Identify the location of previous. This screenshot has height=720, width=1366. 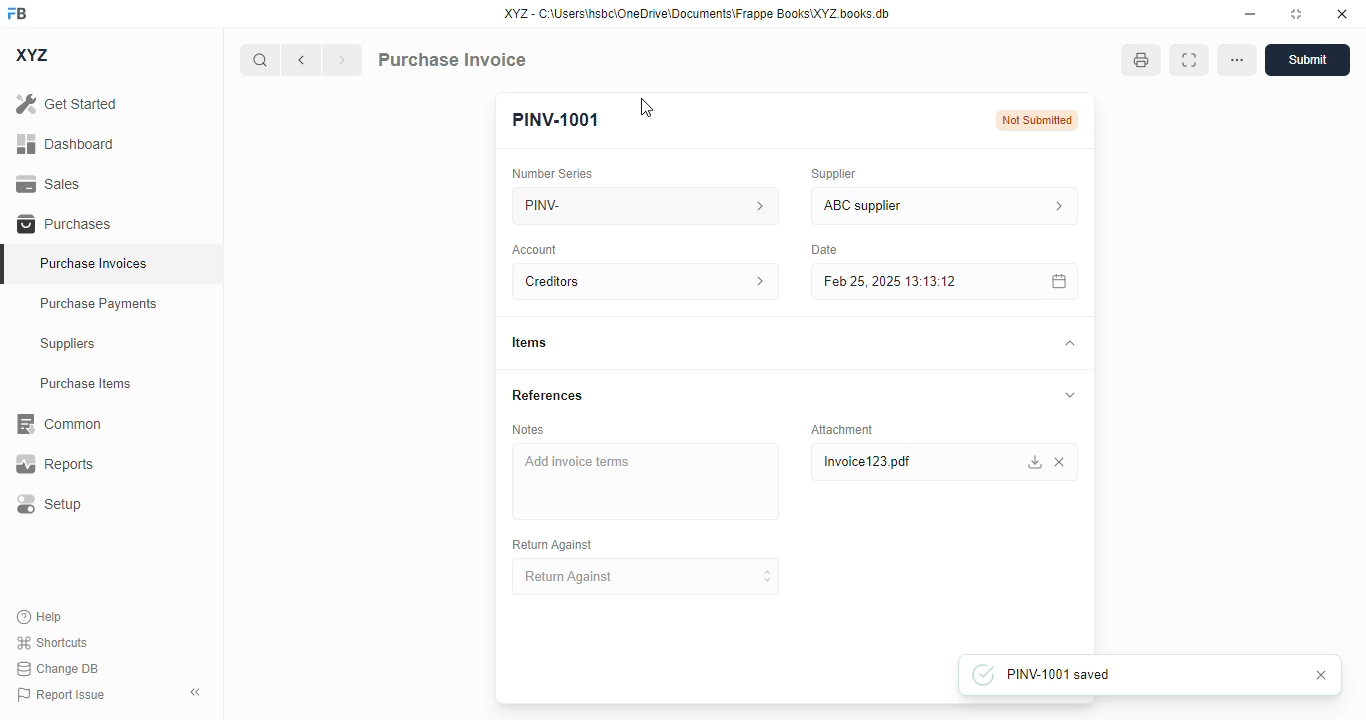
(301, 60).